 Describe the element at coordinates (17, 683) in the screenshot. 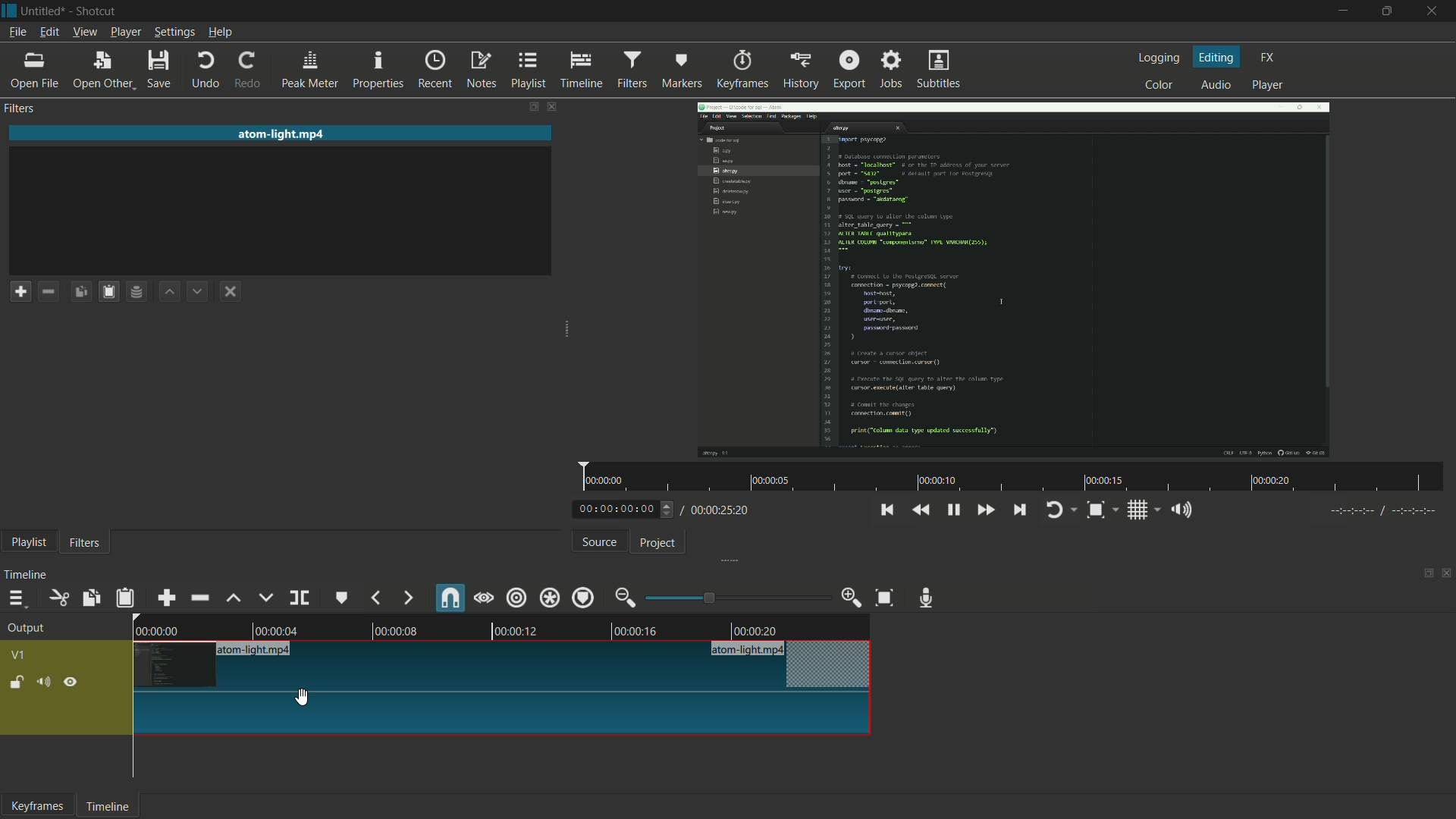

I see `lock` at that location.